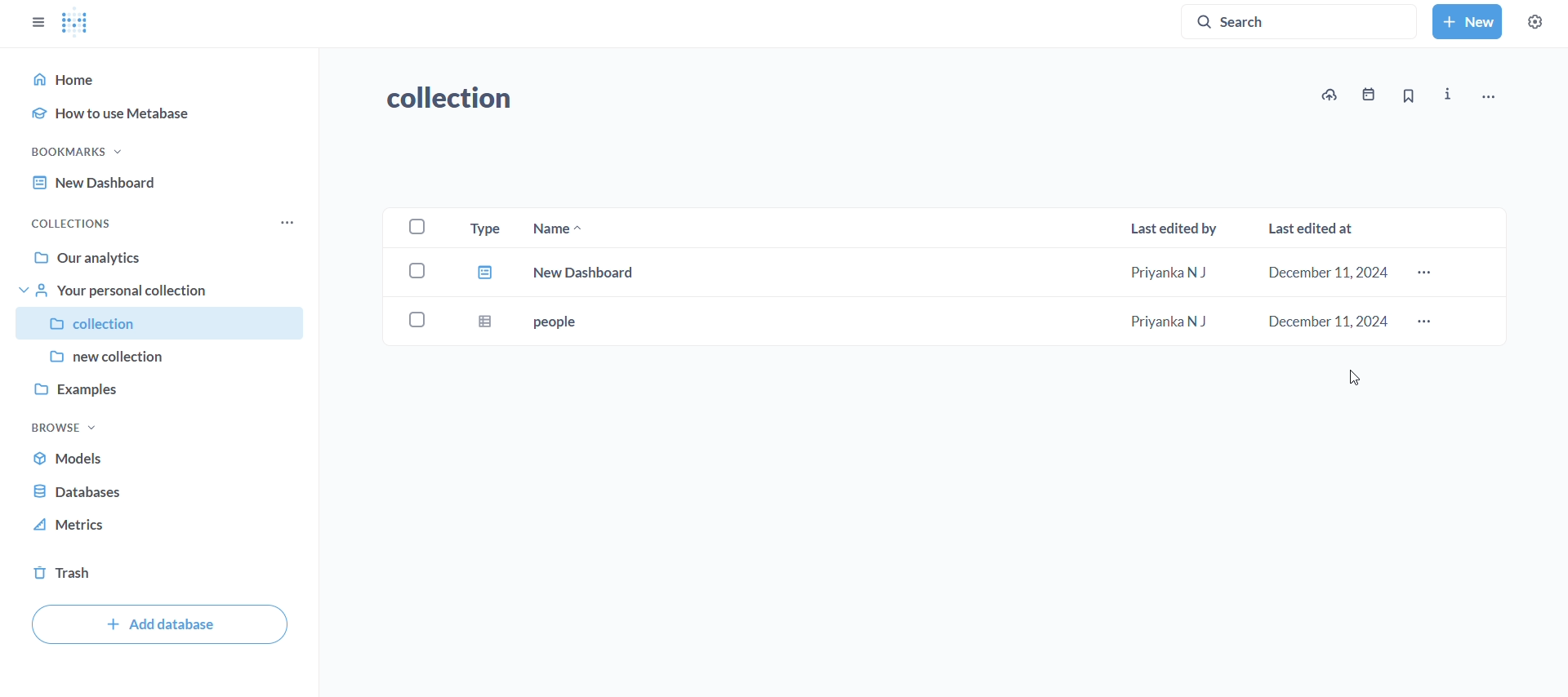  I want to click on how to use metabase, so click(167, 114).